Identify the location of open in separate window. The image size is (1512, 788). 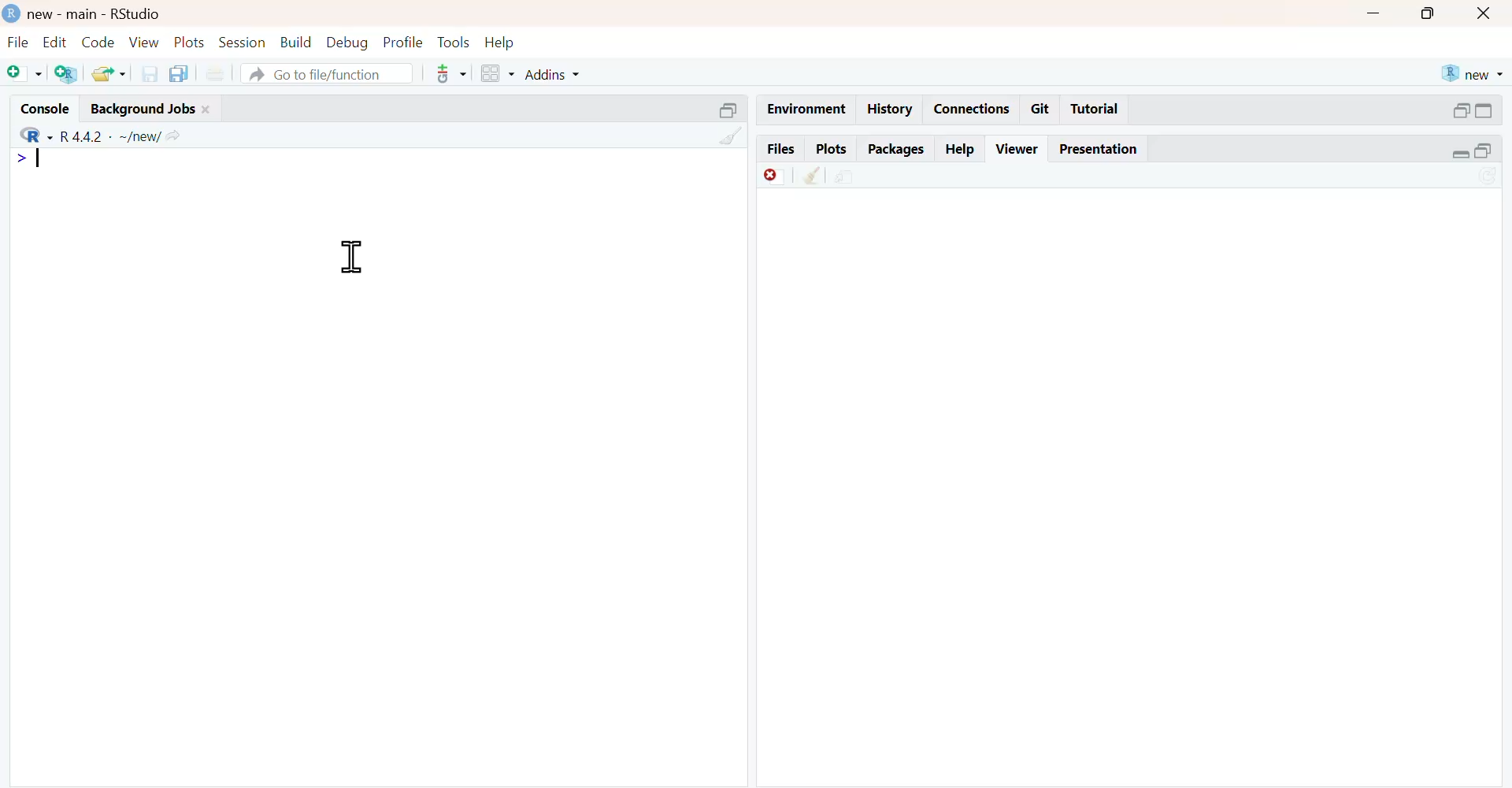
(1462, 110).